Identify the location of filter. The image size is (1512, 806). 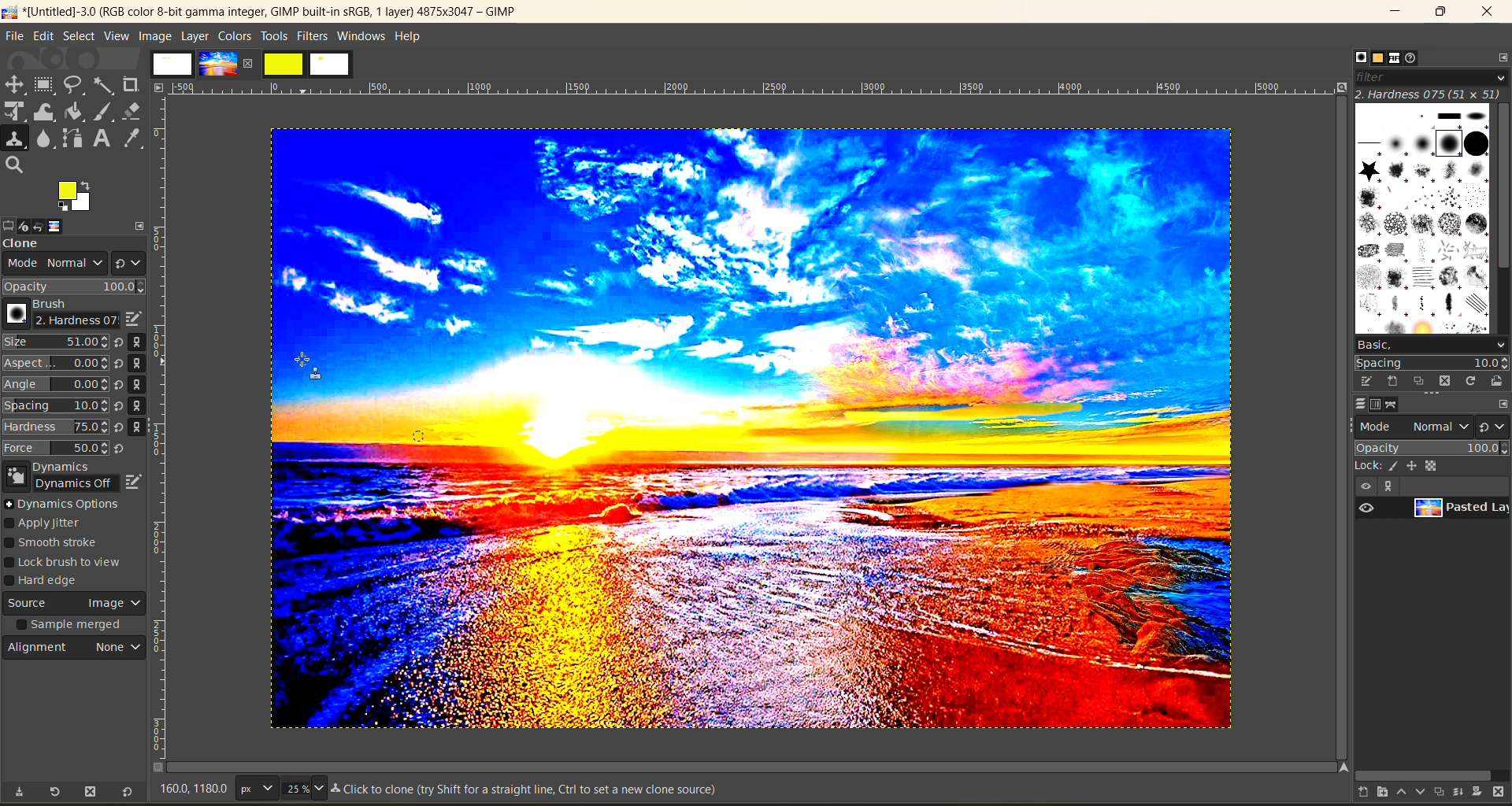
(1429, 76).